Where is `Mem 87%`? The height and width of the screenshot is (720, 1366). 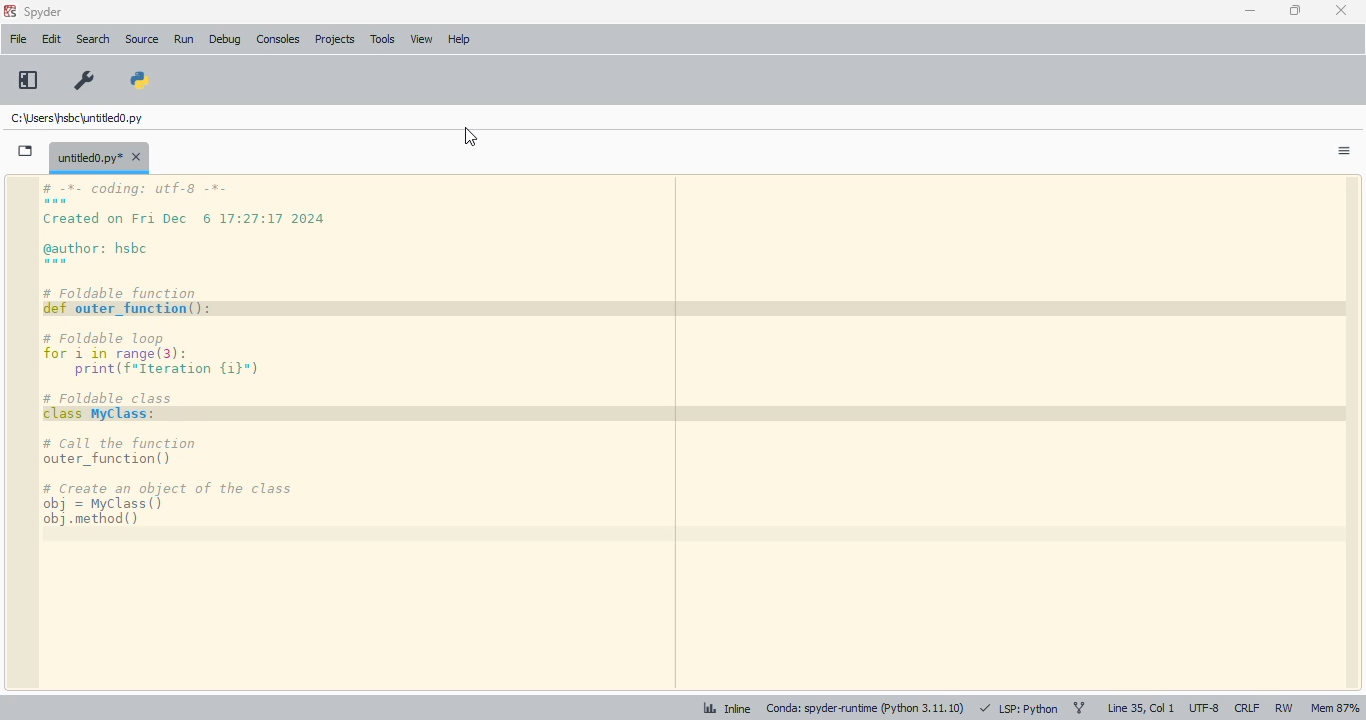
Mem 87% is located at coordinates (1334, 708).